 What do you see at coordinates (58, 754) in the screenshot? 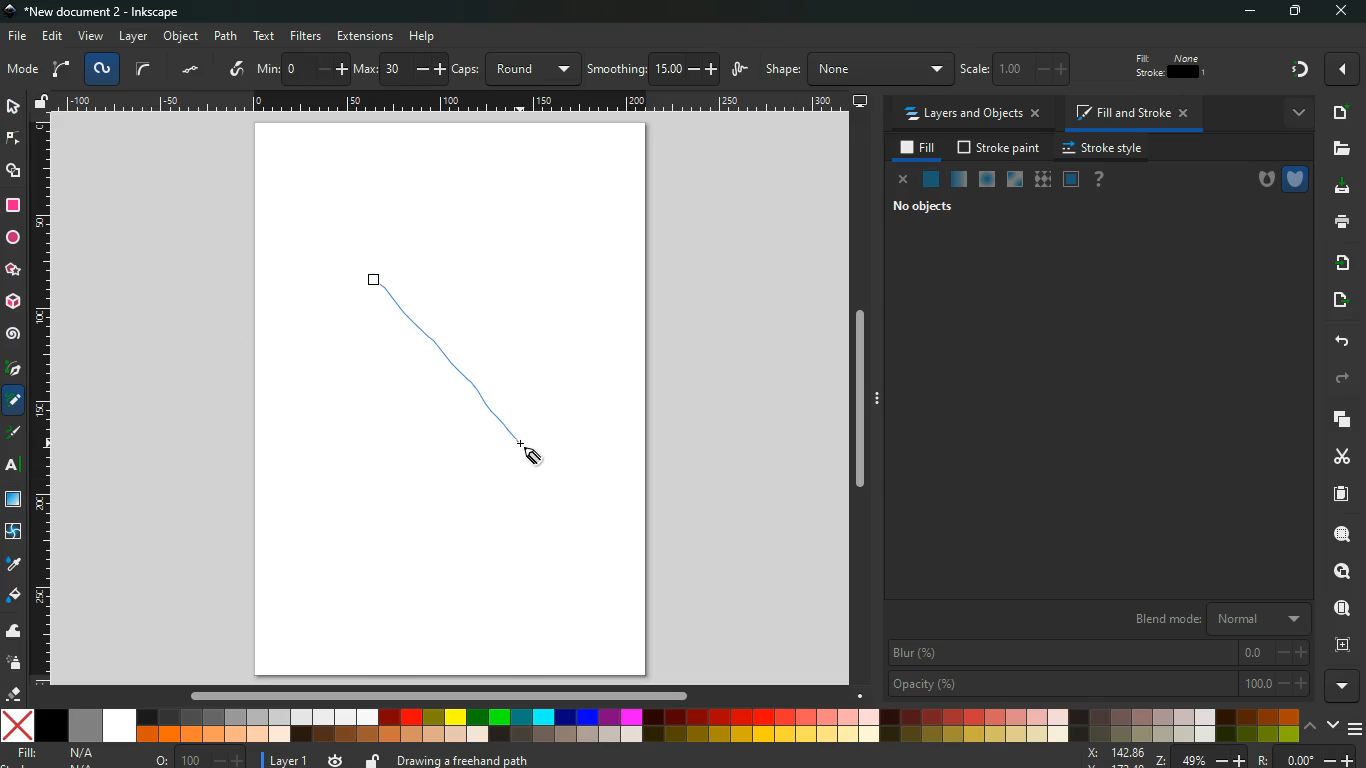
I see `fill` at bounding box center [58, 754].